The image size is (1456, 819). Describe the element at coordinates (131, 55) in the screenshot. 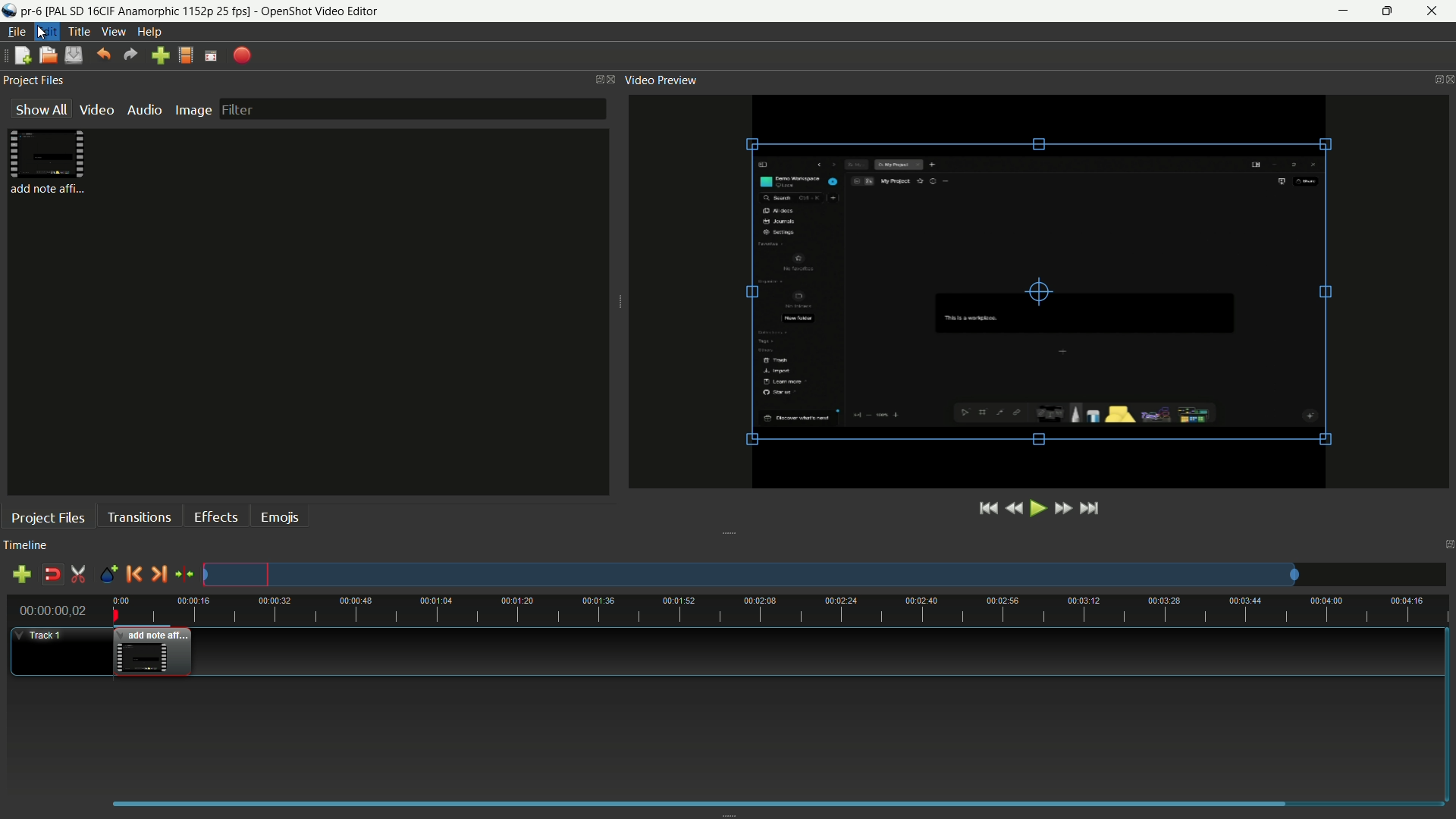

I see `redo` at that location.